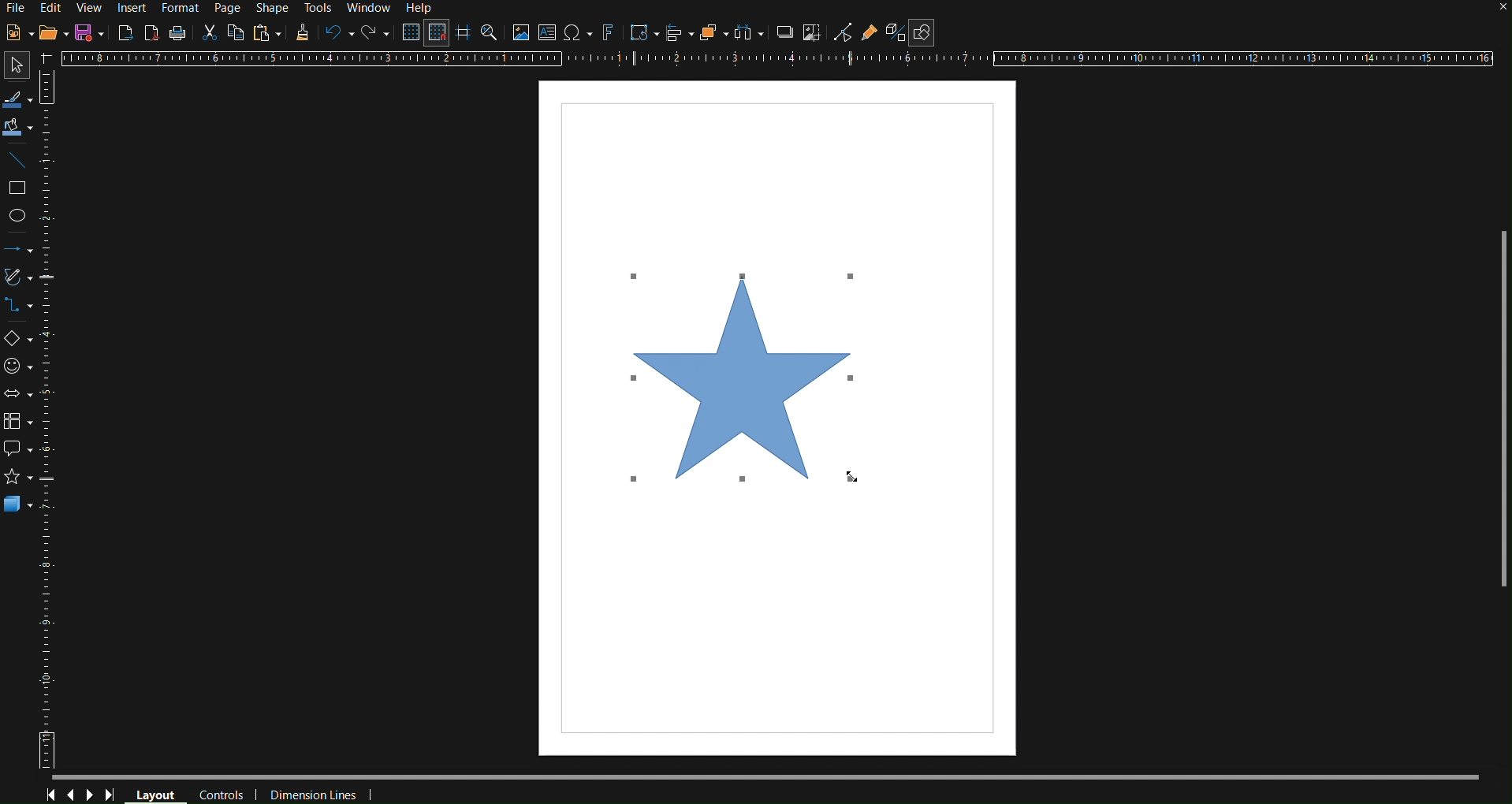 The width and height of the screenshot is (1512, 804). Describe the element at coordinates (747, 35) in the screenshot. I see `Distribute Objects` at that location.